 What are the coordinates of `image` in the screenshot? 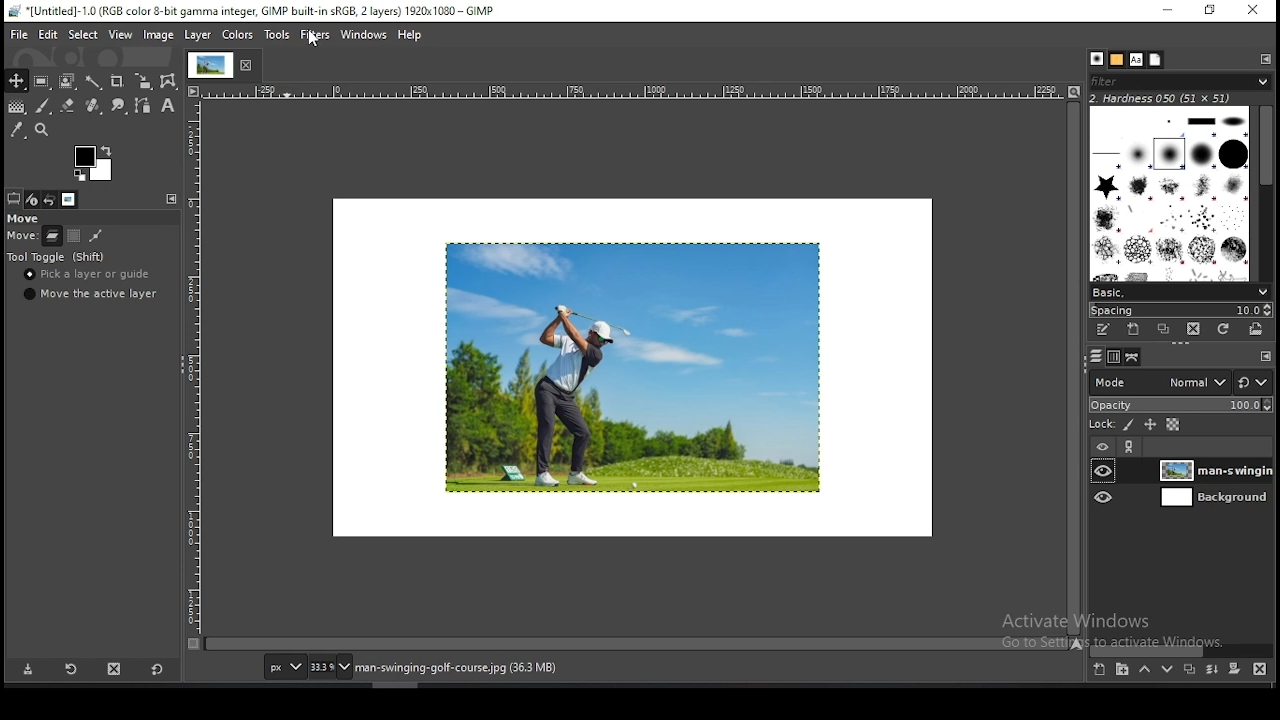 It's located at (159, 35).